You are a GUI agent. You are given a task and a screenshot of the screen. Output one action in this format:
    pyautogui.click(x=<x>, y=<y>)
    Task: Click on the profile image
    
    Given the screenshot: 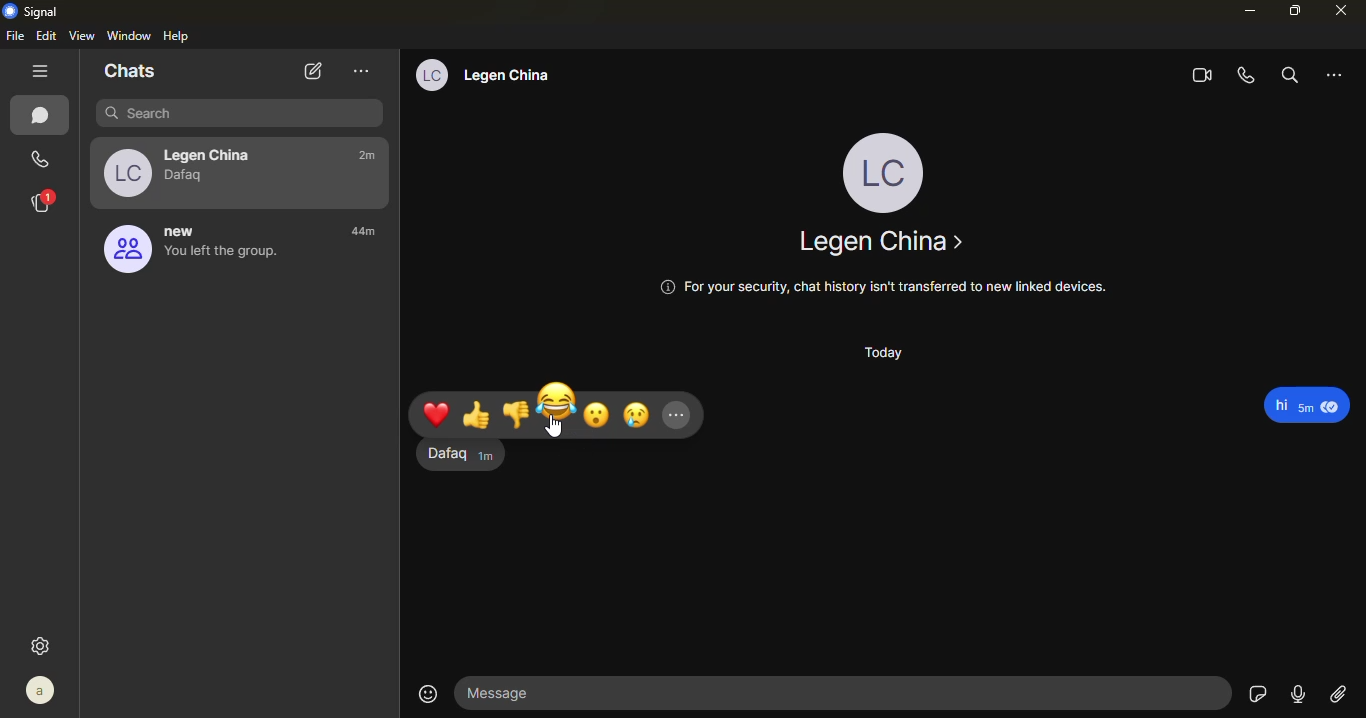 What is the action you would take?
    pyautogui.click(x=125, y=172)
    